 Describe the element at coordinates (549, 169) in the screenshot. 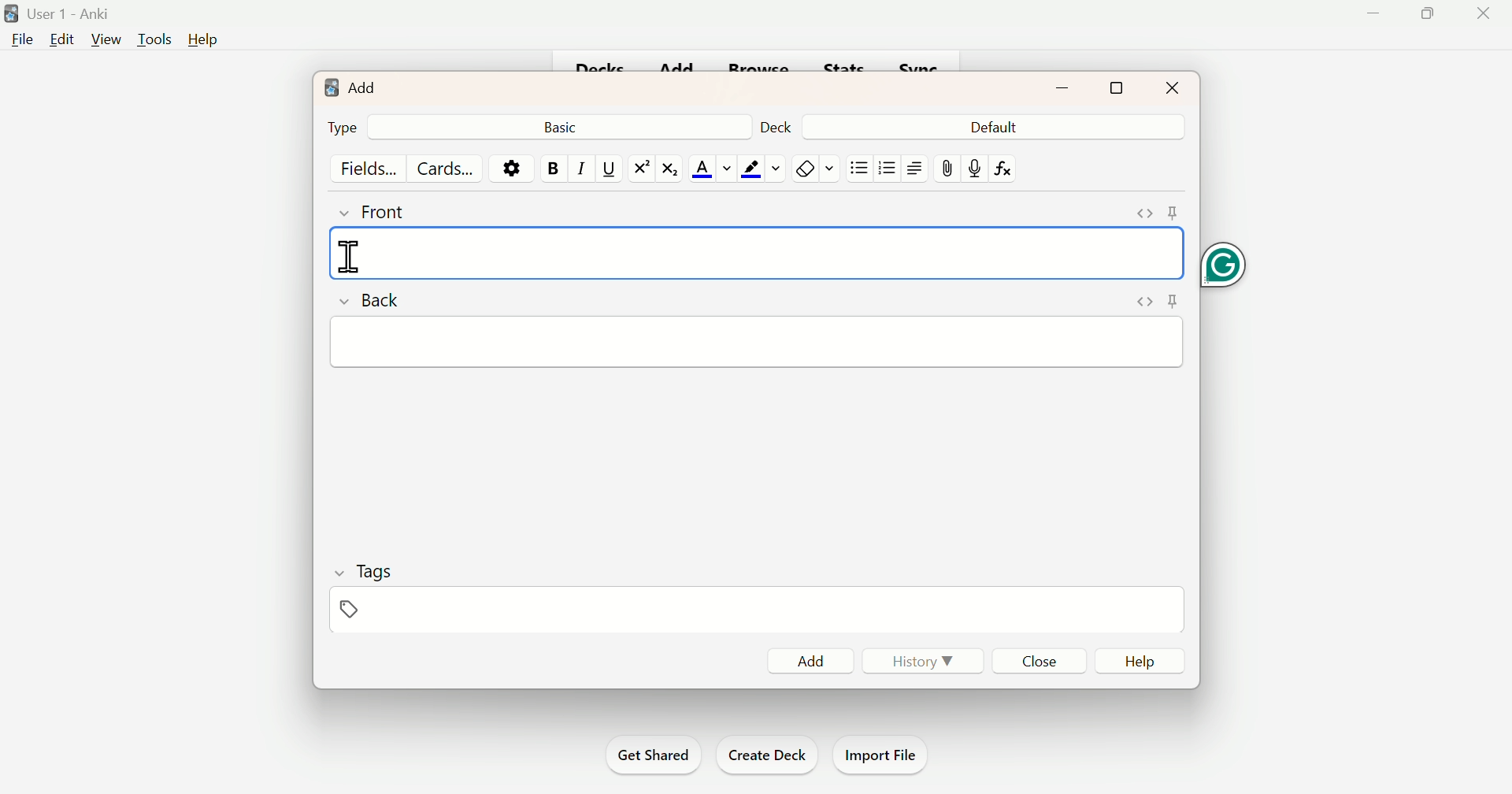

I see `Bold` at that location.